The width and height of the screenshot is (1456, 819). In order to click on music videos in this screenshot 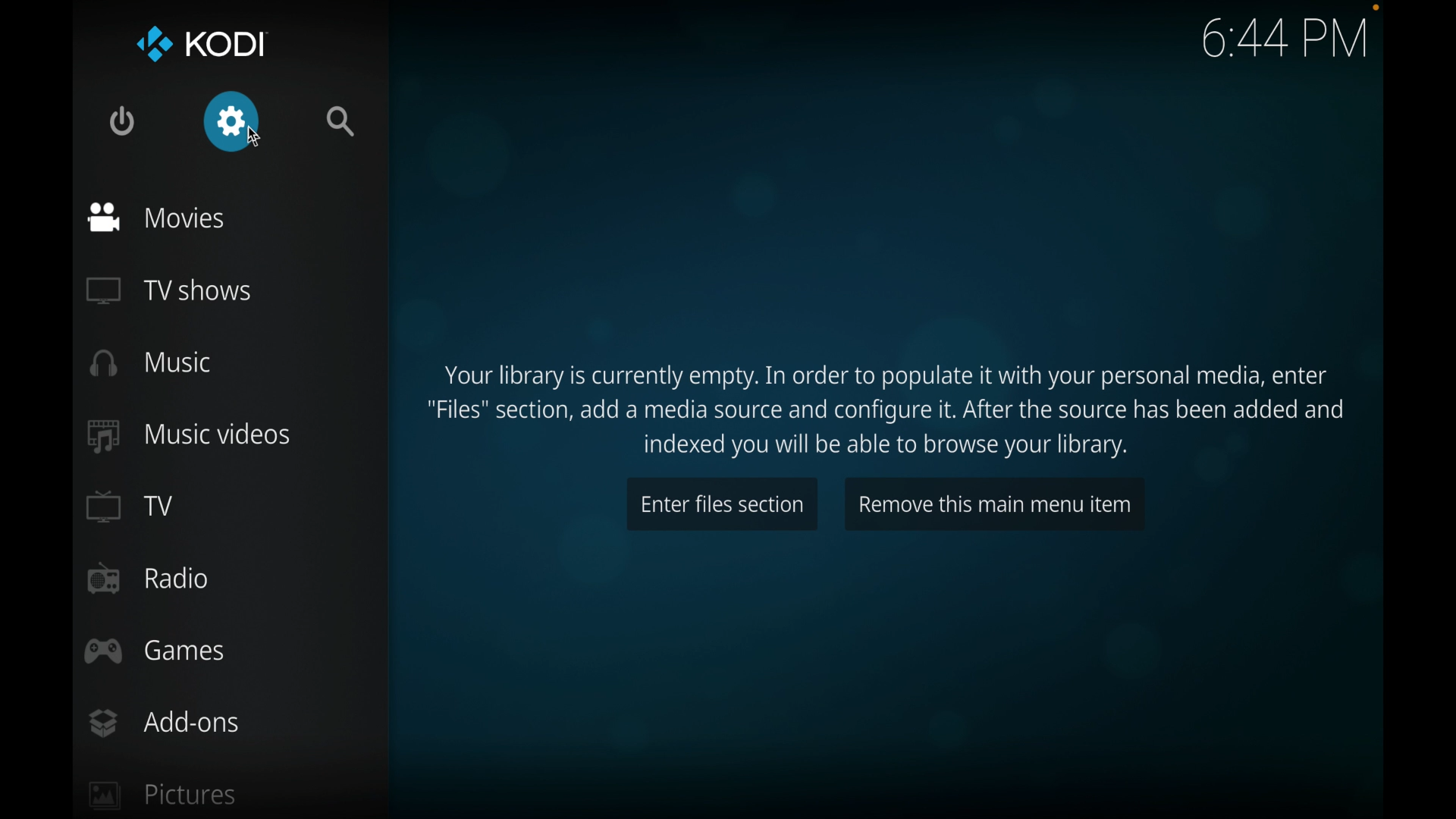, I will do `click(190, 435)`.